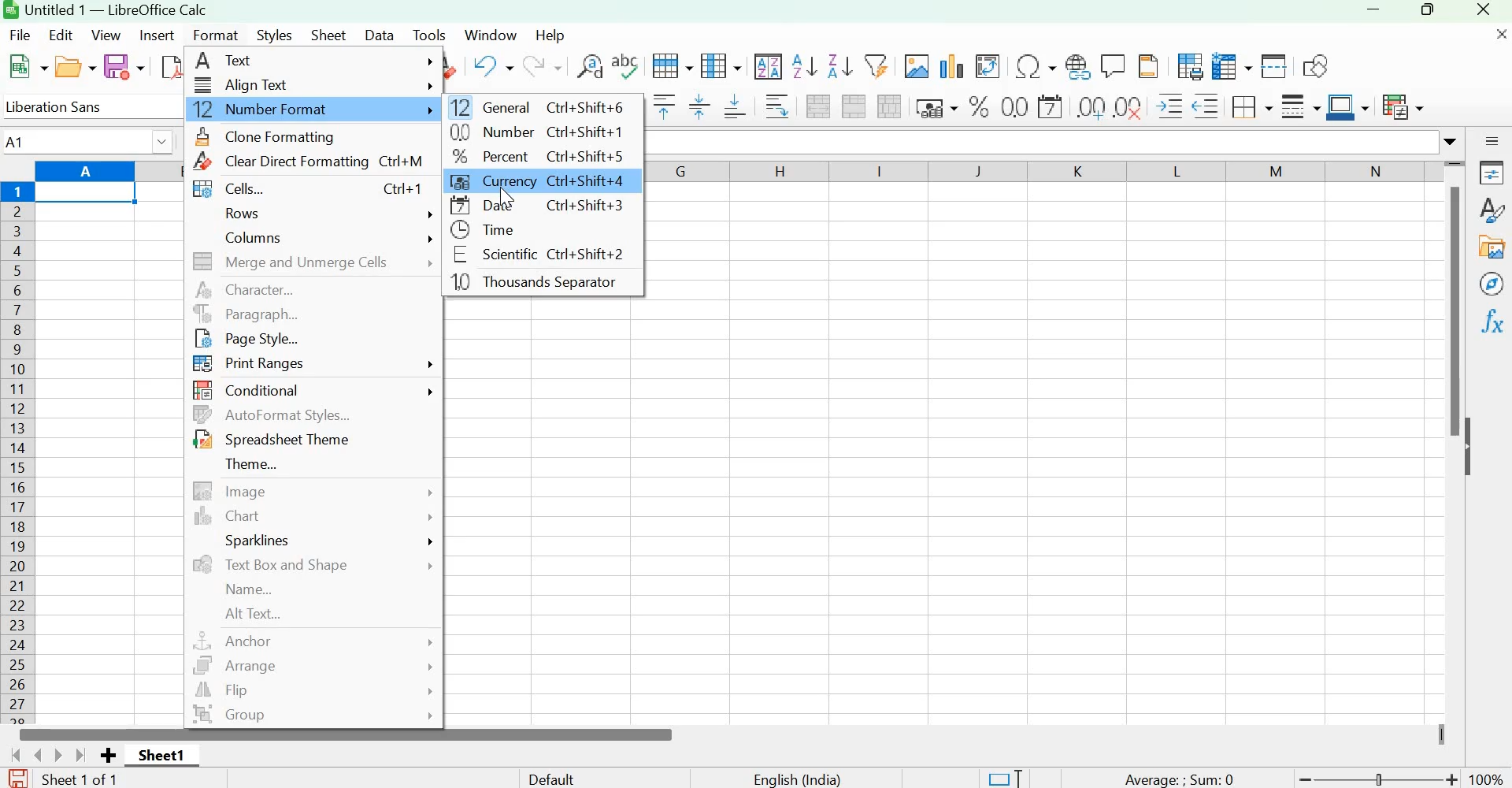 This screenshot has height=788, width=1512. Describe the element at coordinates (1492, 139) in the screenshot. I see `Sidebar settings` at that location.